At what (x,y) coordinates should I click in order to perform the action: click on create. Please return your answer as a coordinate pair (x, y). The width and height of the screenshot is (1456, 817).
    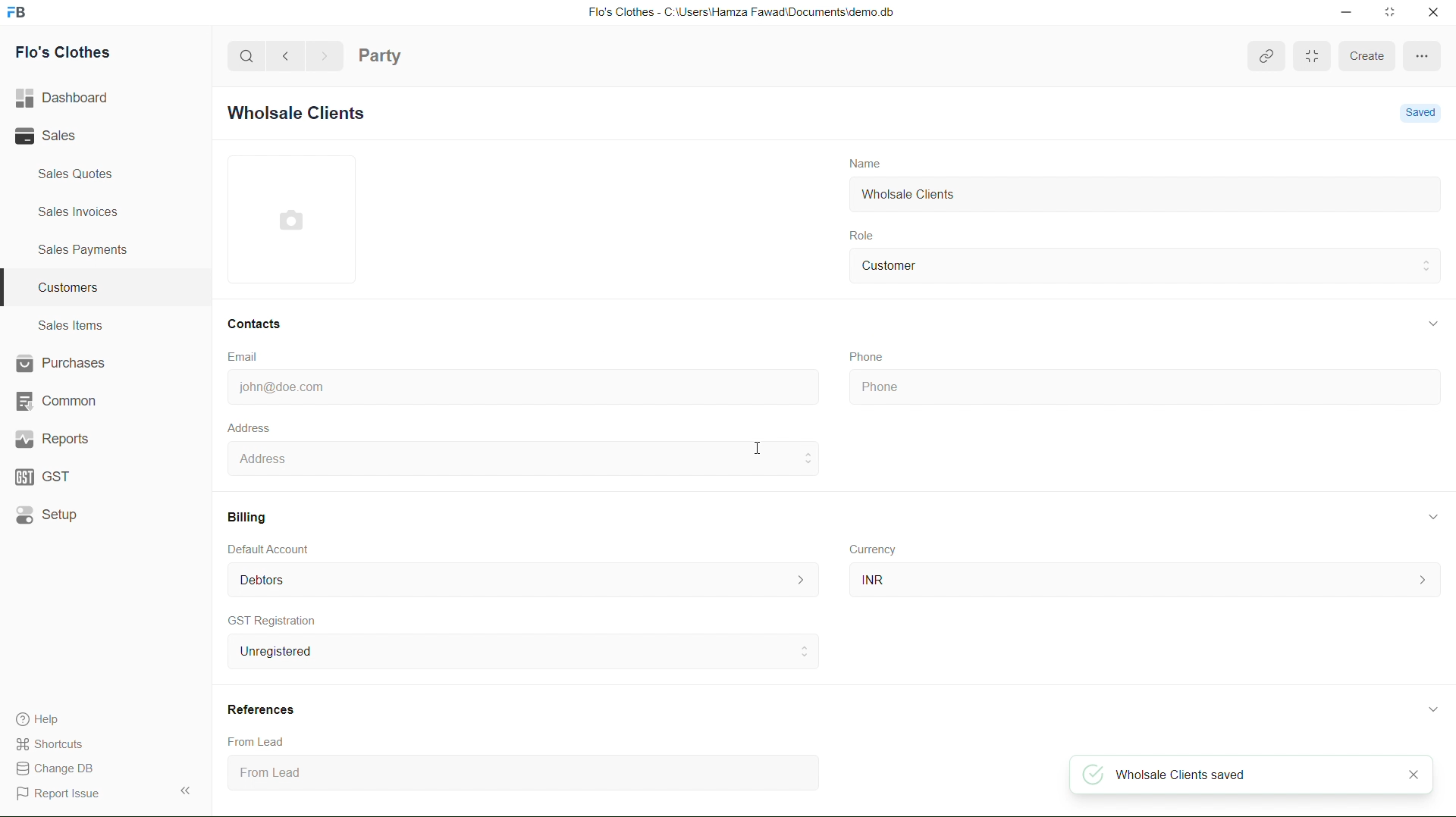
    Looking at the image, I should click on (1367, 60).